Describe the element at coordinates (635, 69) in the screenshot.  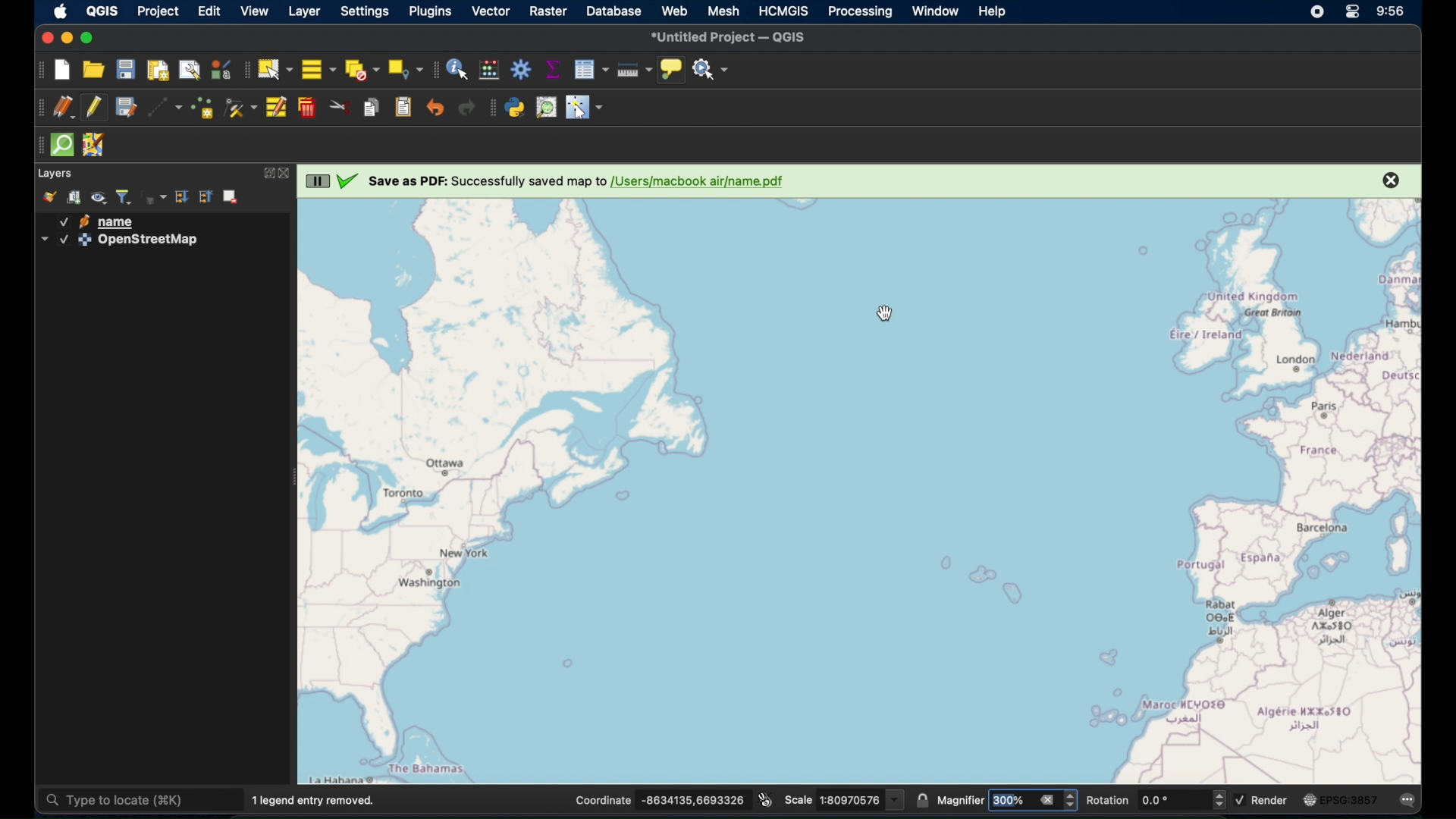
I see `measure line` at that location.